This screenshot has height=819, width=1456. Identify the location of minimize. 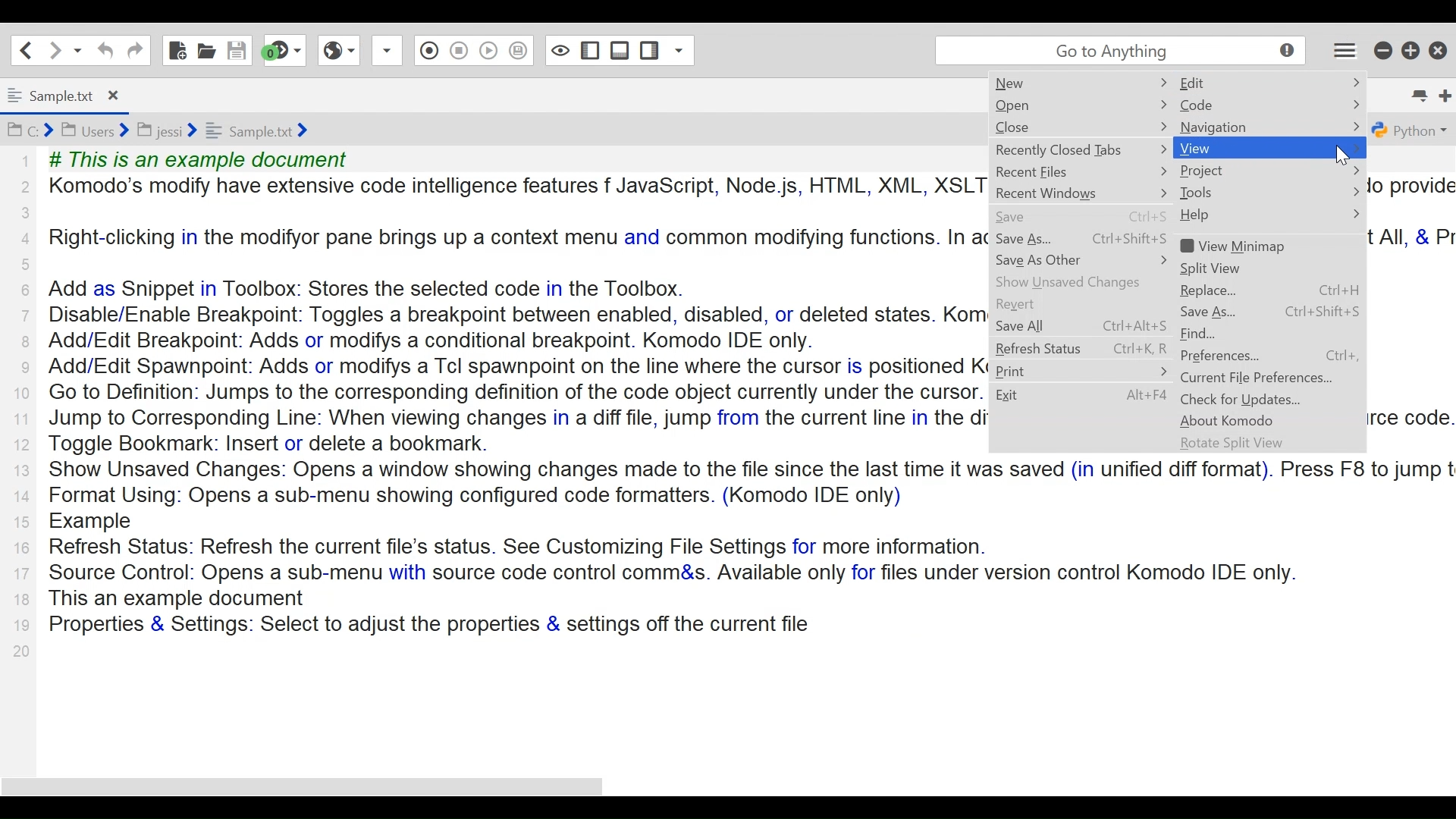
(1382, 50).